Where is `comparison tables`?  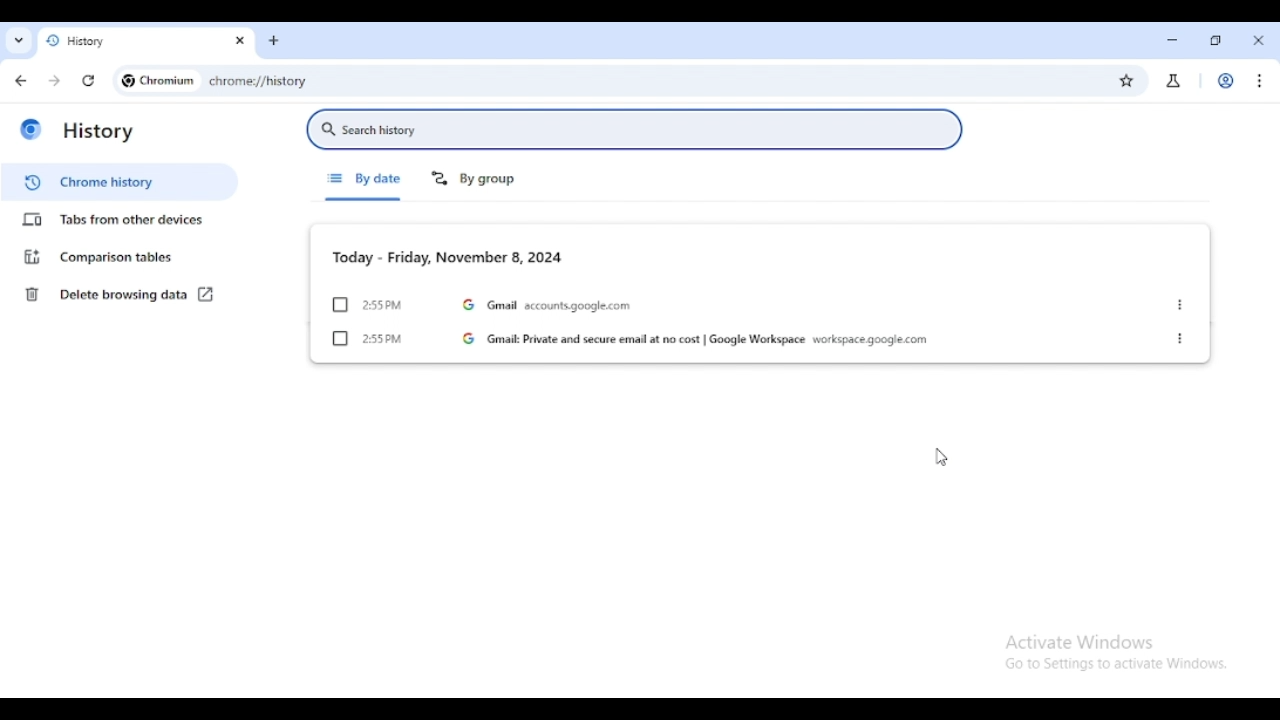
comparison tables is located at coordinates (98, 256).